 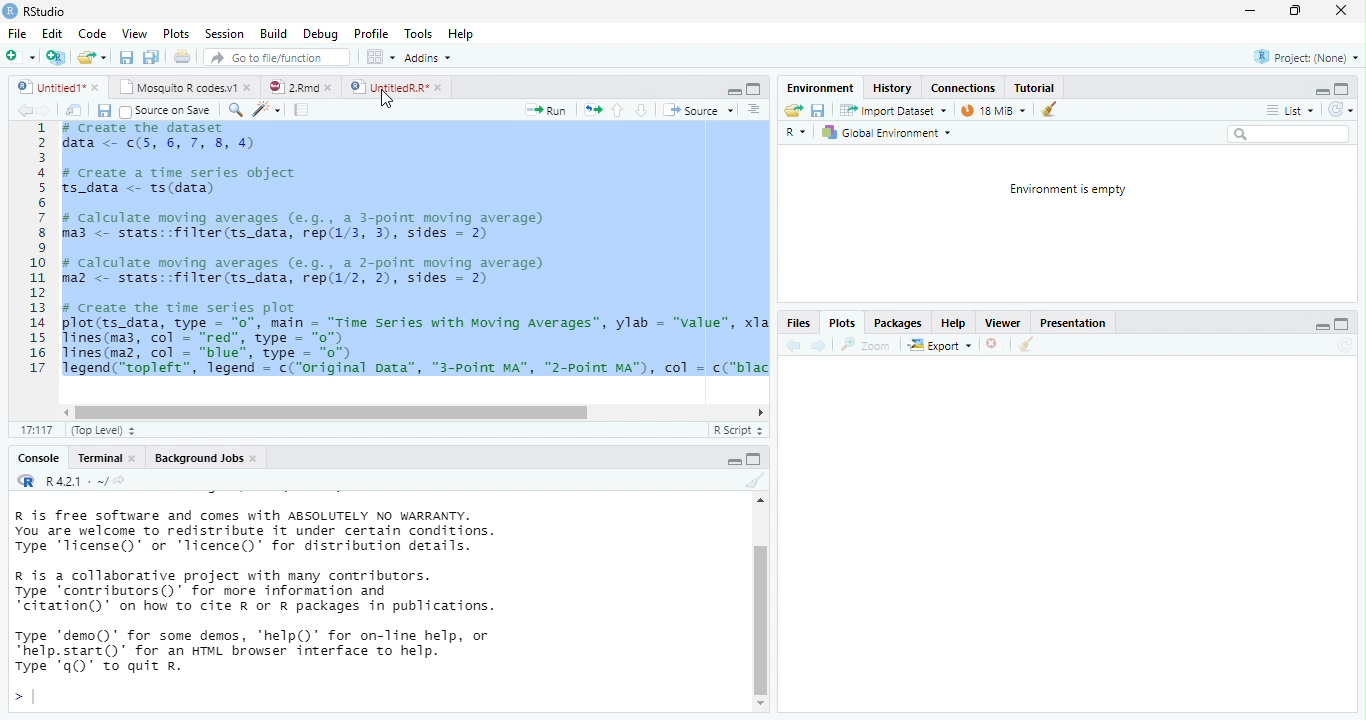 What do you see at coordinates (387, 87) in the screenshot?
I see `UntitiedR.R"` at bounding box center [387, 87].